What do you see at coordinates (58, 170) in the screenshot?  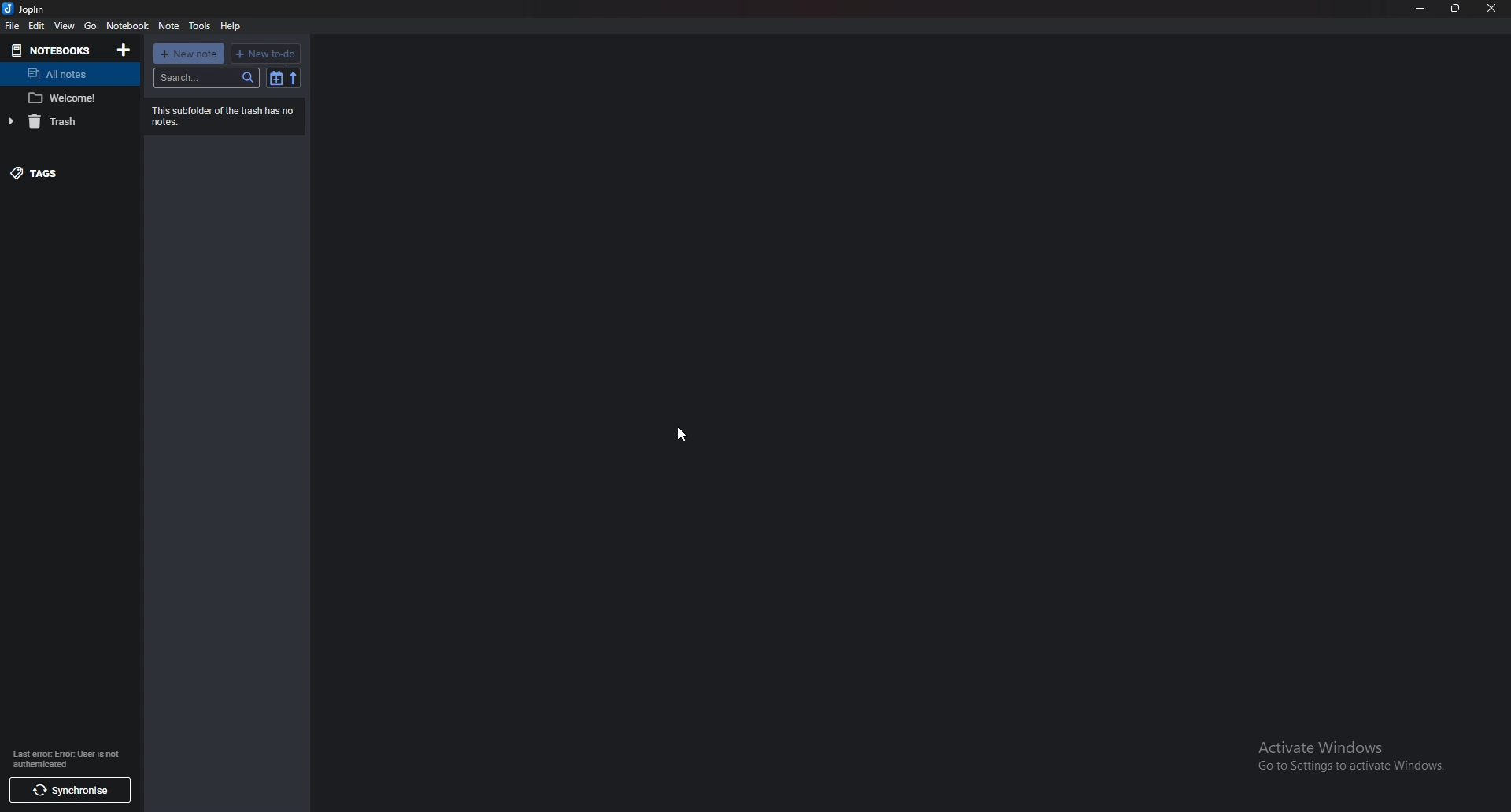 I see `tags` at bounding box center [58, 170].